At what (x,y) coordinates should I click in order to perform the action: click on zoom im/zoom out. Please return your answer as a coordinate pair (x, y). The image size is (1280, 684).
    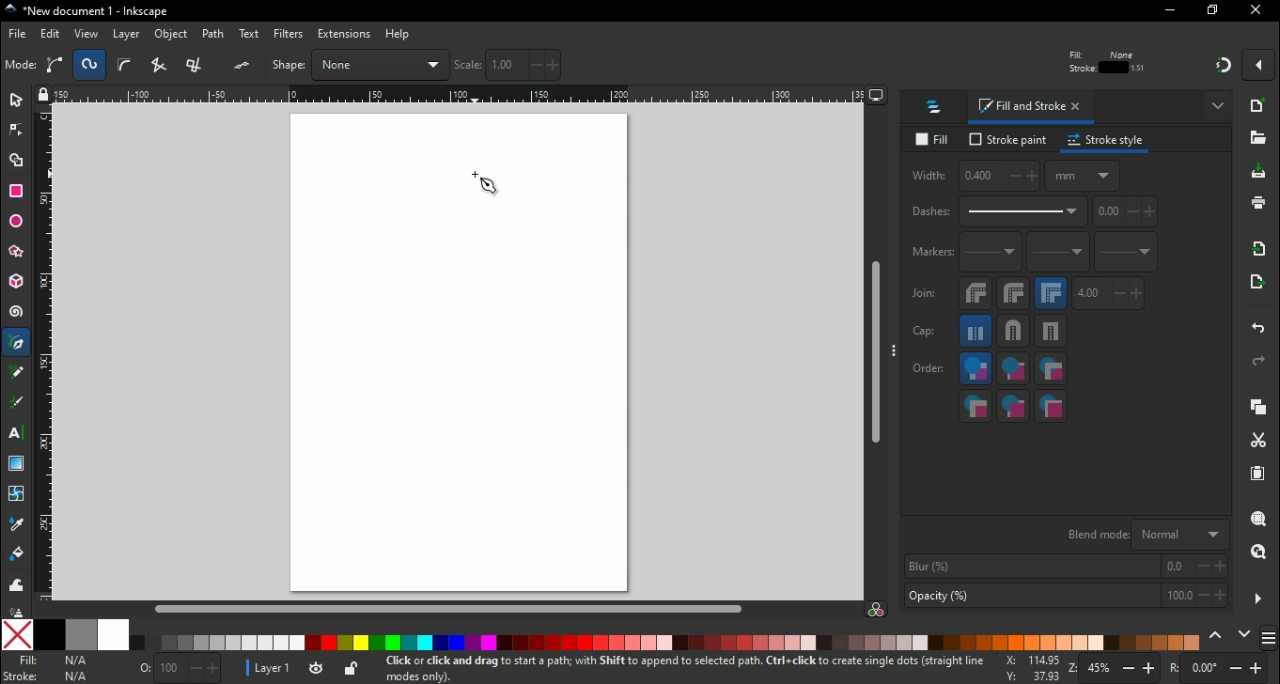
    Looking at the image, I should click on (1113, 667).